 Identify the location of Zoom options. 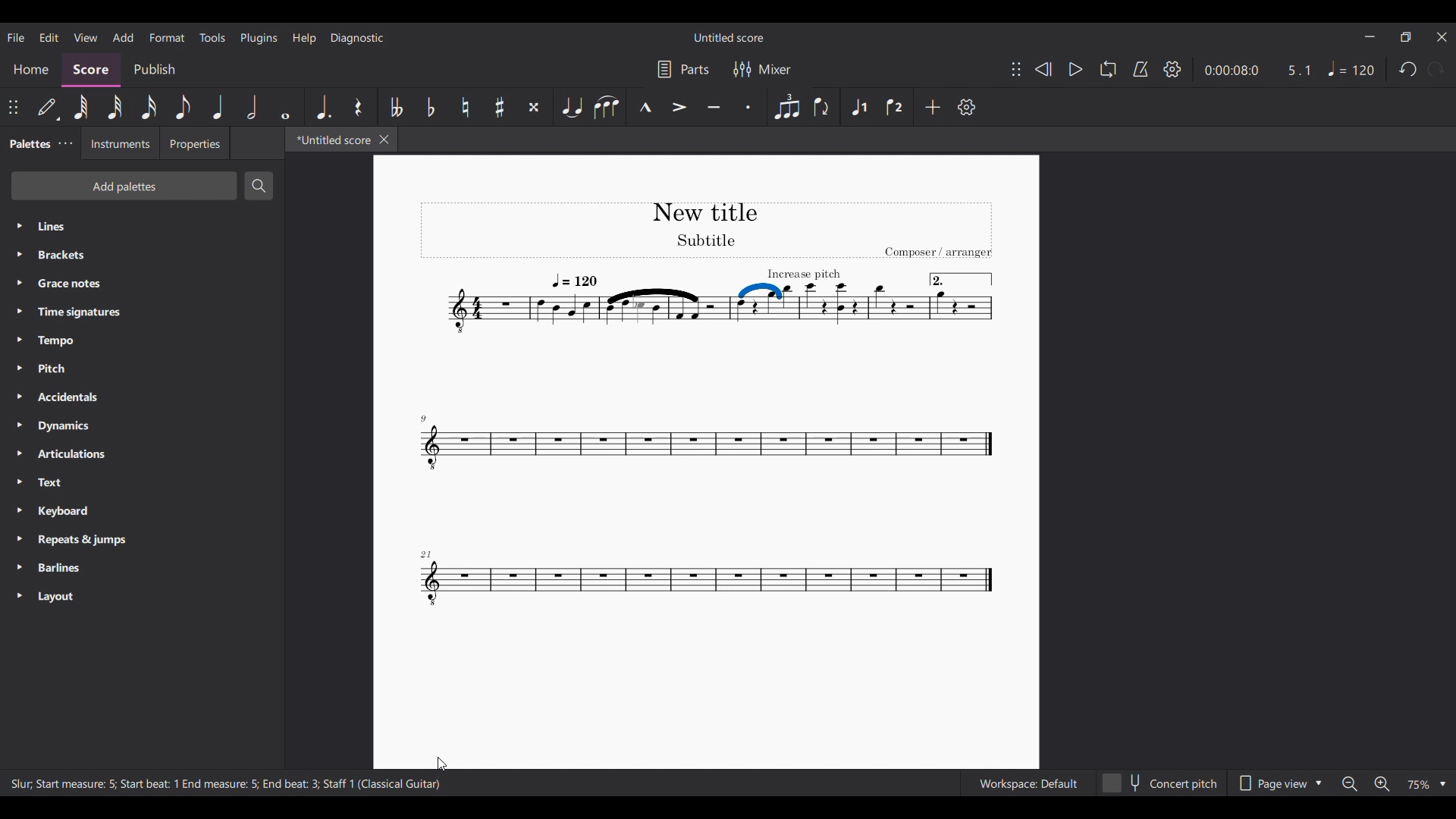
(1426, 784).